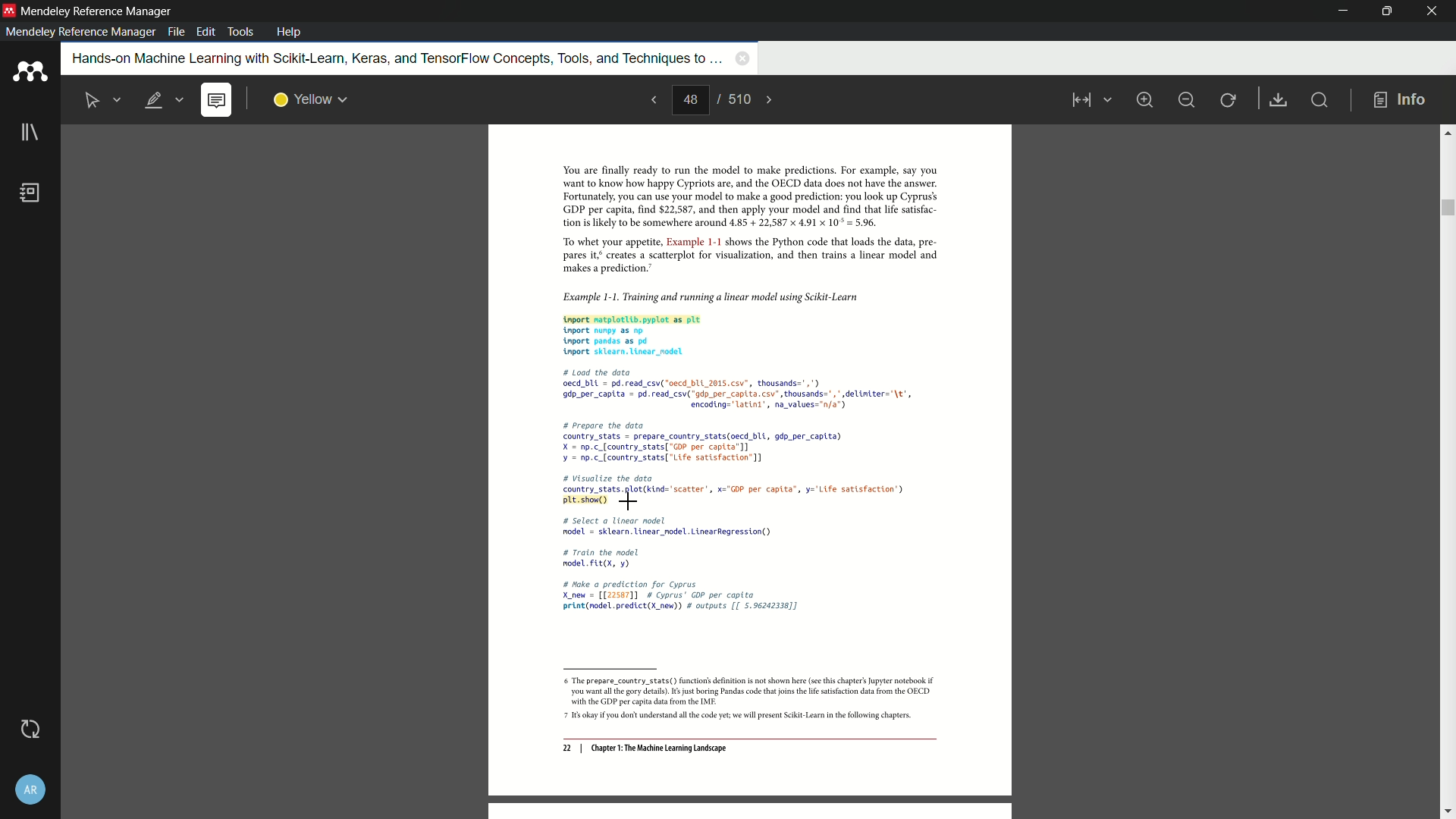 The image size is (1456, 819). What do you see at coordinates (770, 100) in the screenshot?
I see `next page` at bounding box center [770, 100].